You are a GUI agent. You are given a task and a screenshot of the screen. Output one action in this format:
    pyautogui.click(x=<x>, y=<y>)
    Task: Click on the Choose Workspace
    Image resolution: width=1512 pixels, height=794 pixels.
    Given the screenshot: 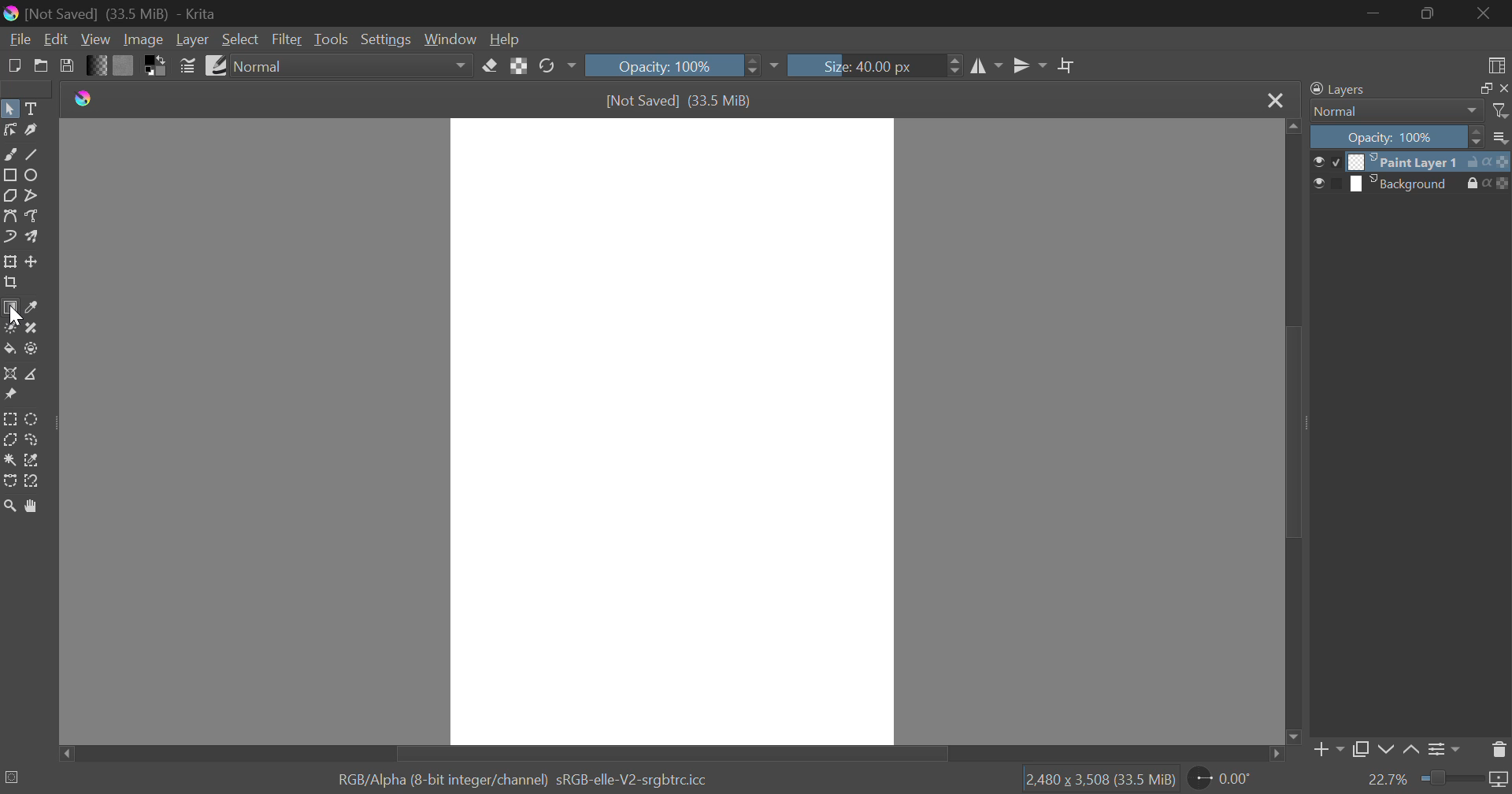 What is the action you would take?
    pyautogui.click(x=1494, y=62)
    